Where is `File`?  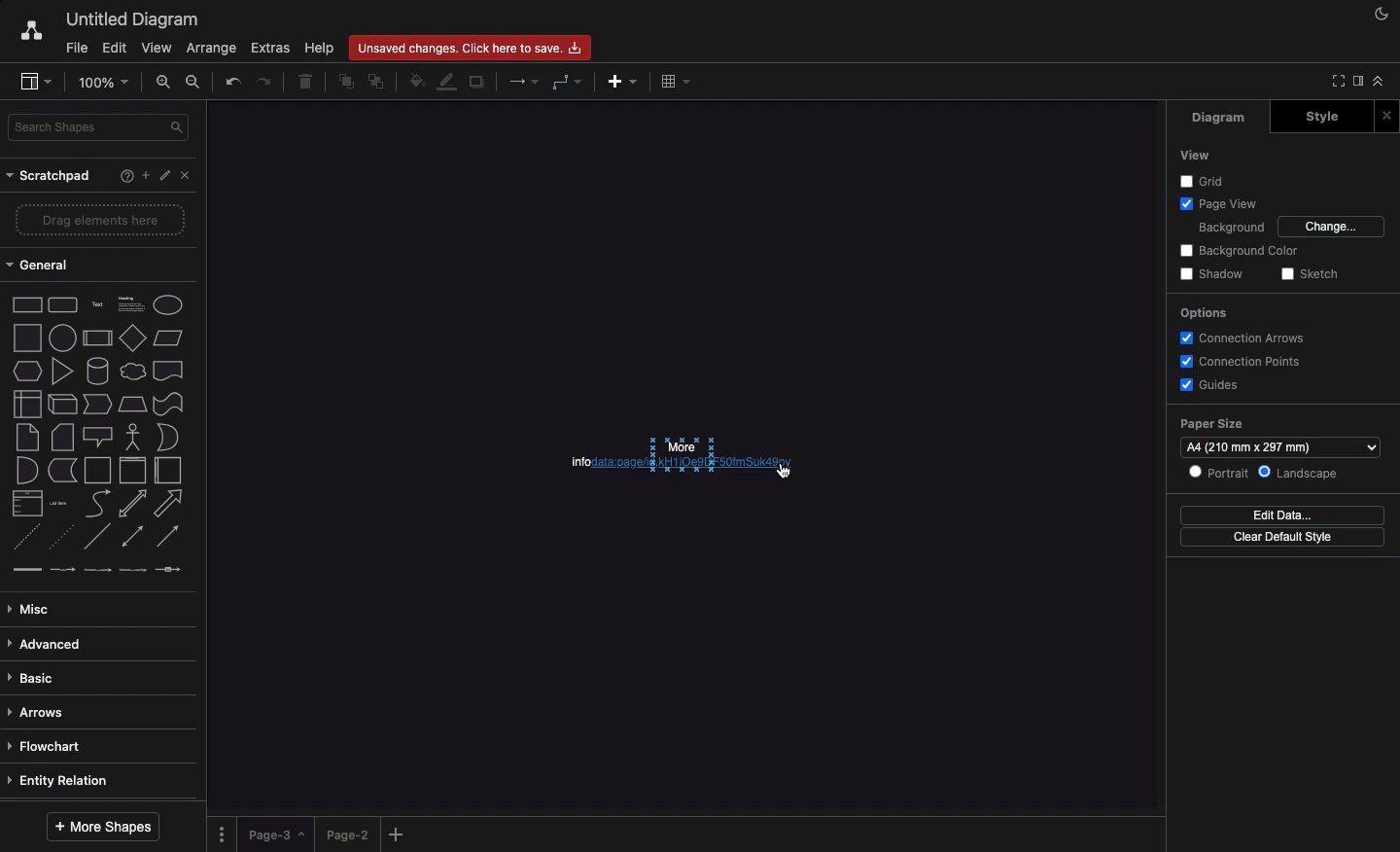 File is located at coordinates (75, 47).